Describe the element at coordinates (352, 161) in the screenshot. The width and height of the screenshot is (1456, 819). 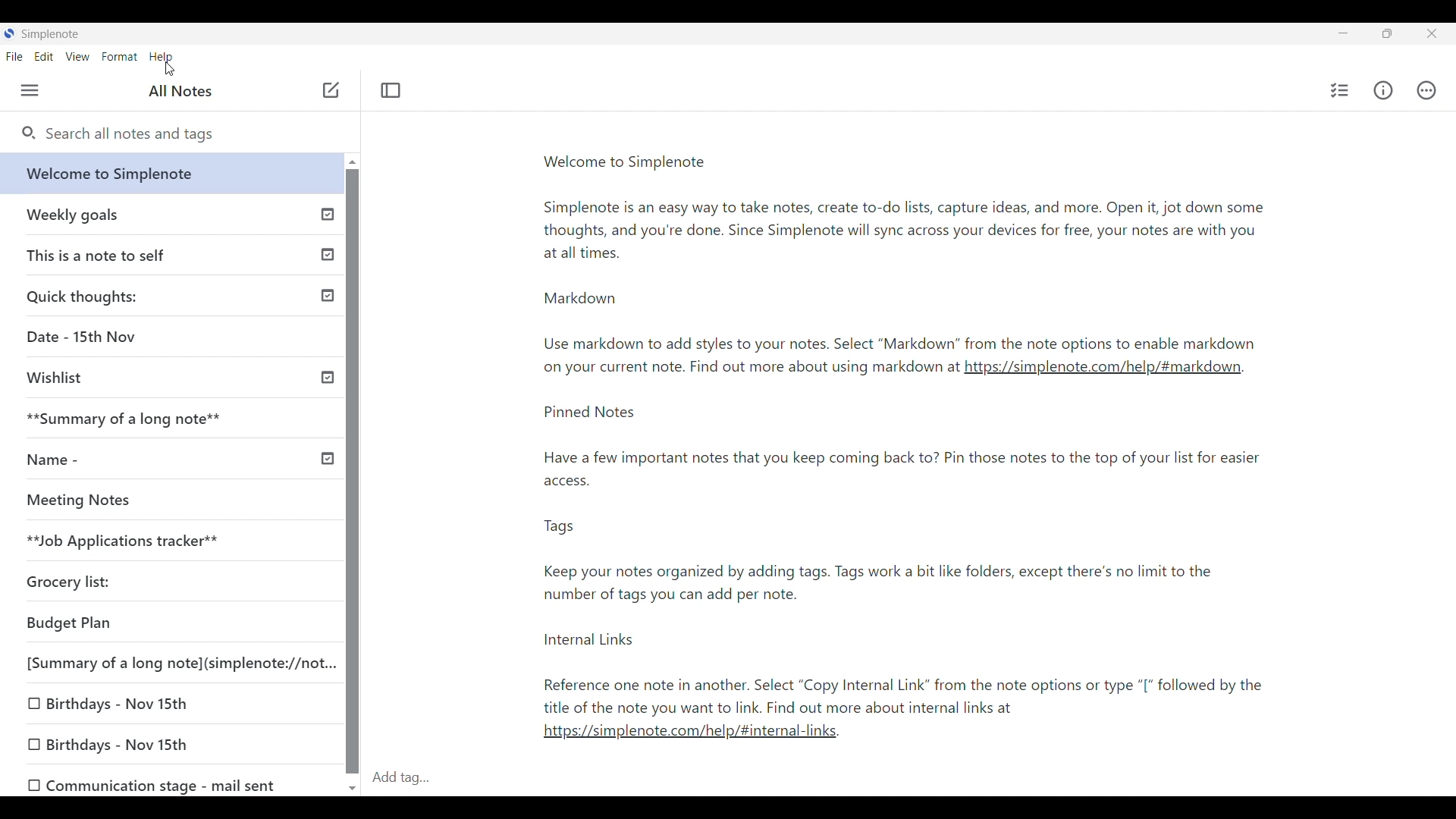
I see `Quick slide to top` at that location.